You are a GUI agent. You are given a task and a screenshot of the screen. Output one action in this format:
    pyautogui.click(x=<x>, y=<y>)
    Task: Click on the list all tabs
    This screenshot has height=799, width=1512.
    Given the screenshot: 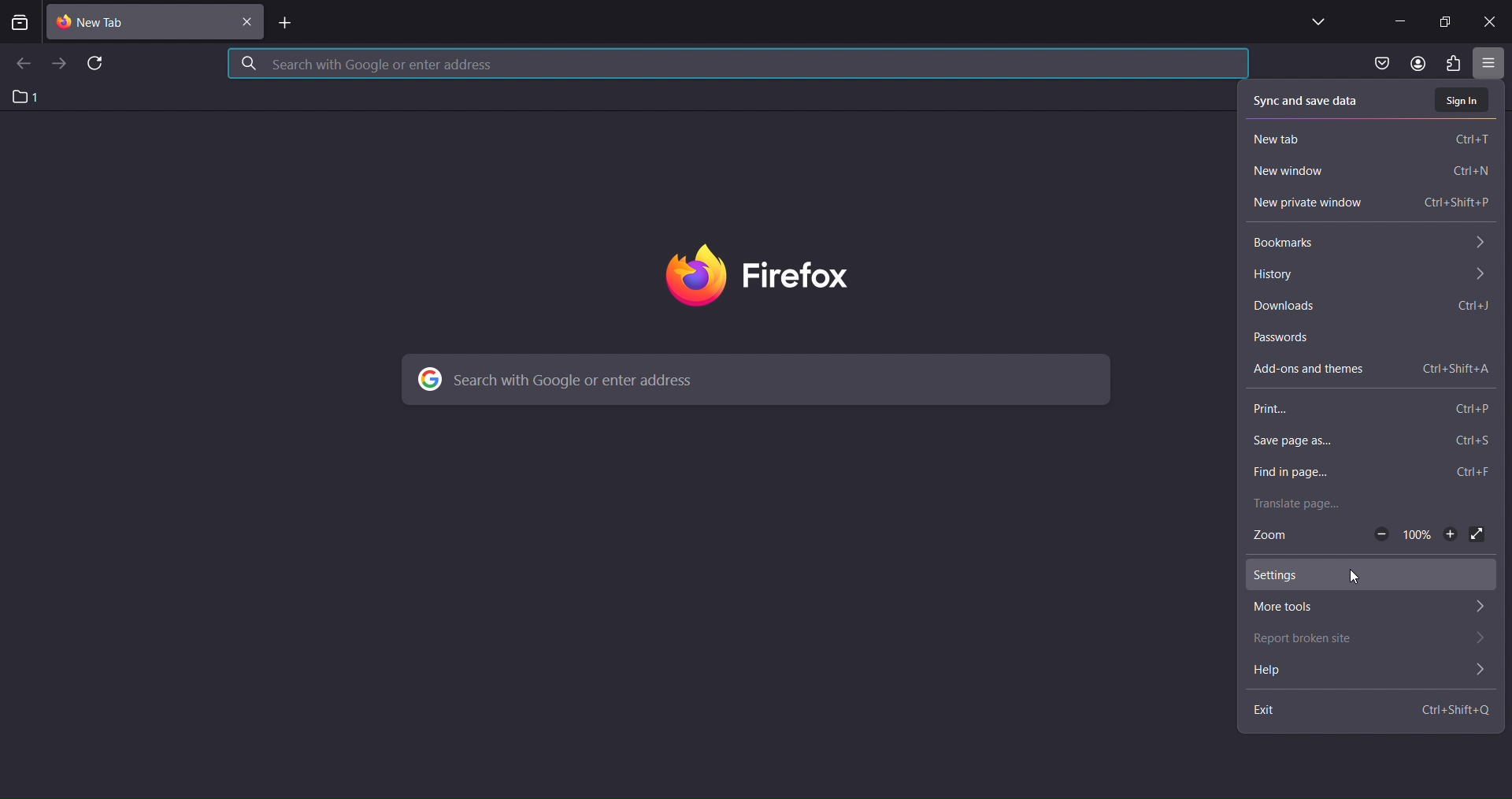 What is the action you would take?
    pyautogui.click(x=1325, y=22)
    